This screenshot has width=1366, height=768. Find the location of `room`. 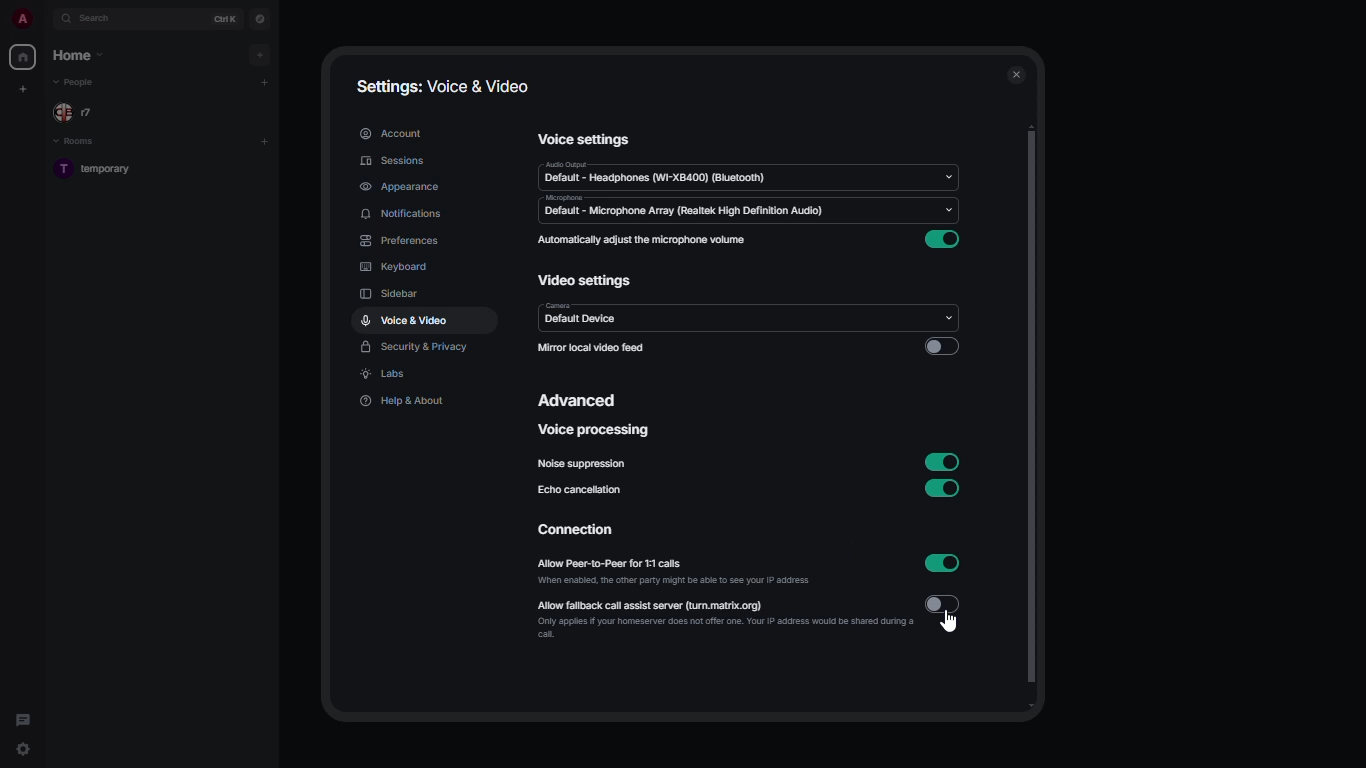

room is located at coordinates (103, 170).